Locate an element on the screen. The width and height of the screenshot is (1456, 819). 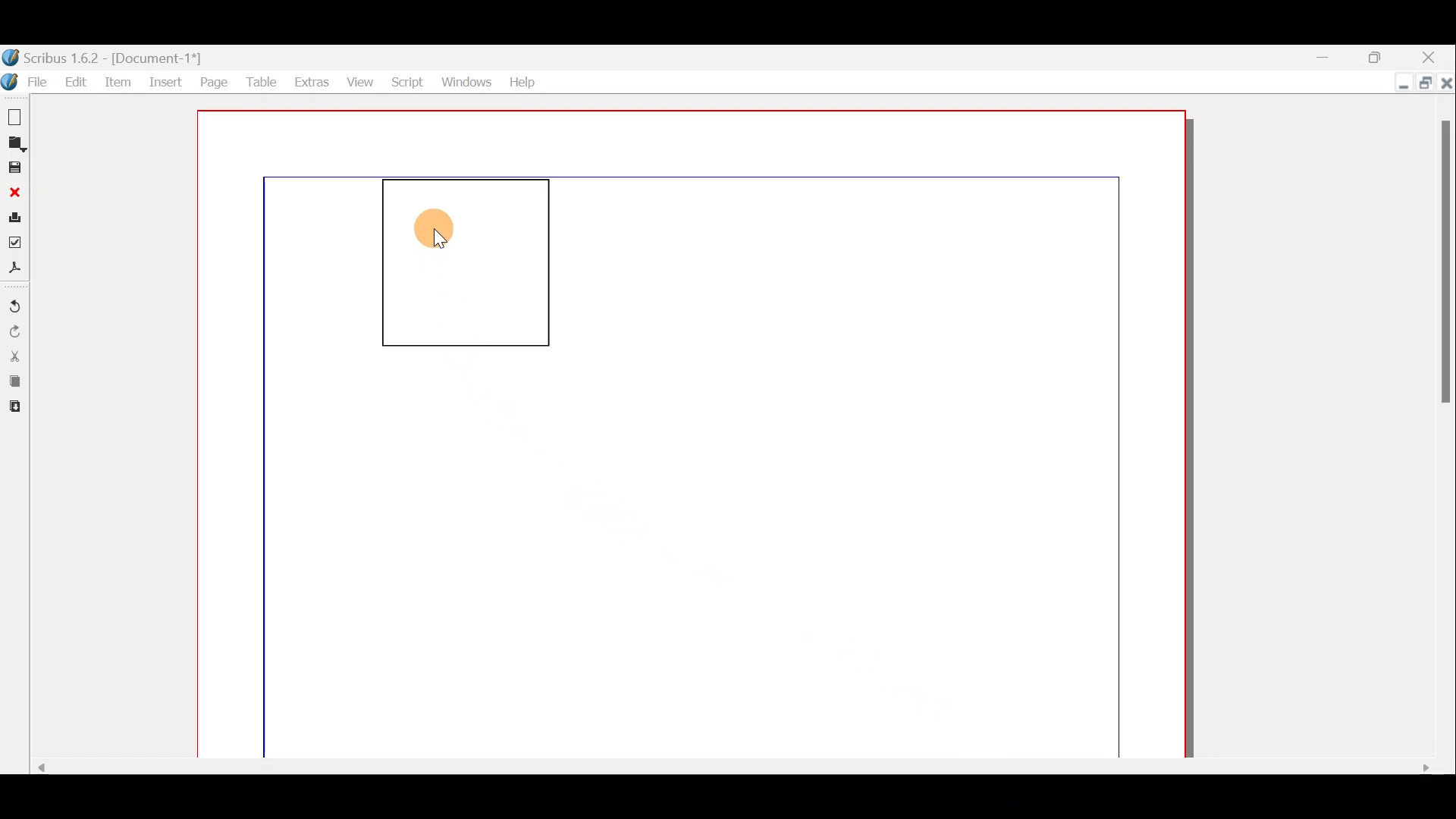
Help is located at coordinates (522, 80).